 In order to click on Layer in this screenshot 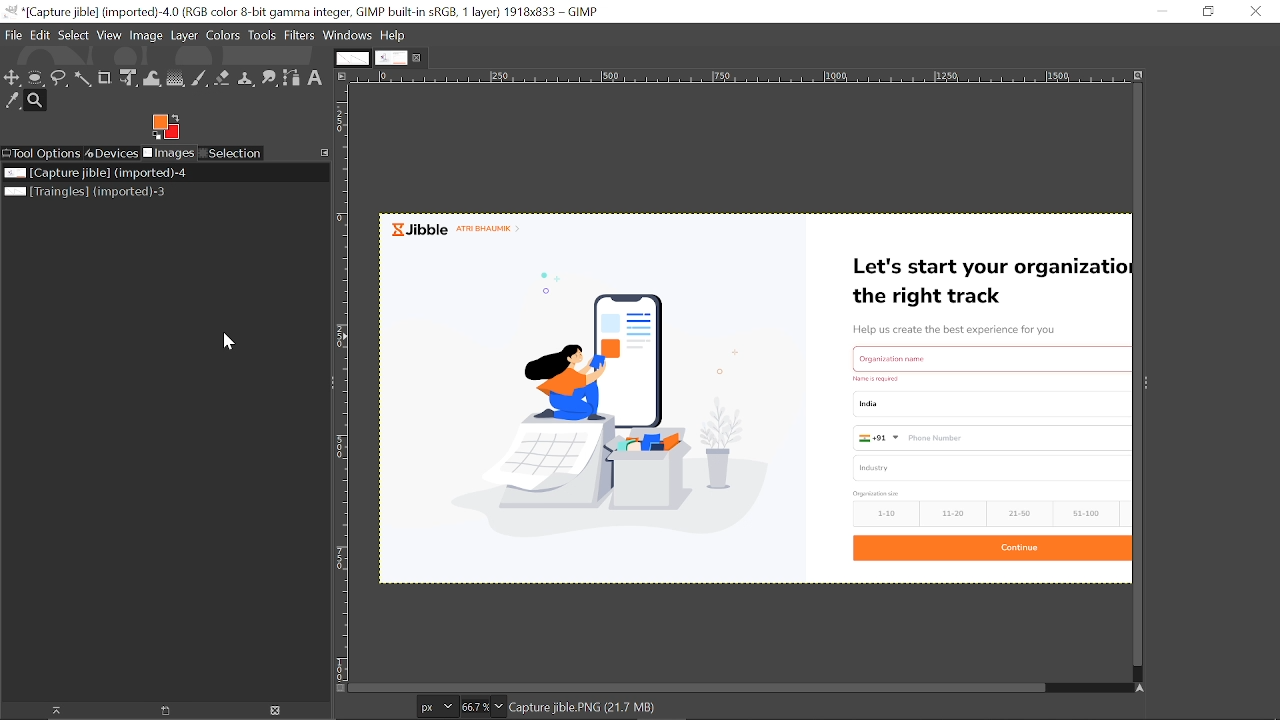, I will do `click(184, 36)`.